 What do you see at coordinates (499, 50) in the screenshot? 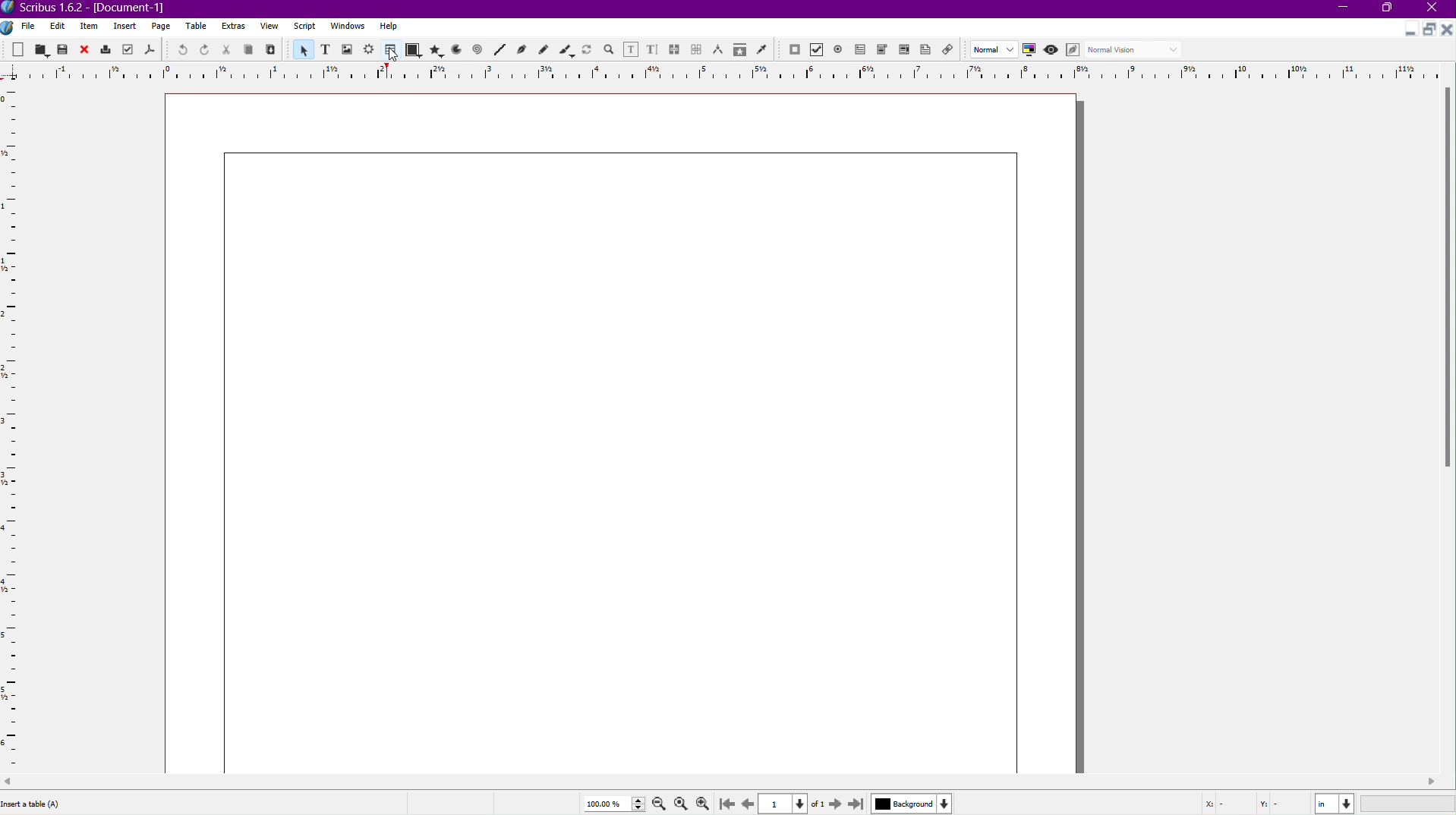
I see `Line` at bounding box center [499, 50].